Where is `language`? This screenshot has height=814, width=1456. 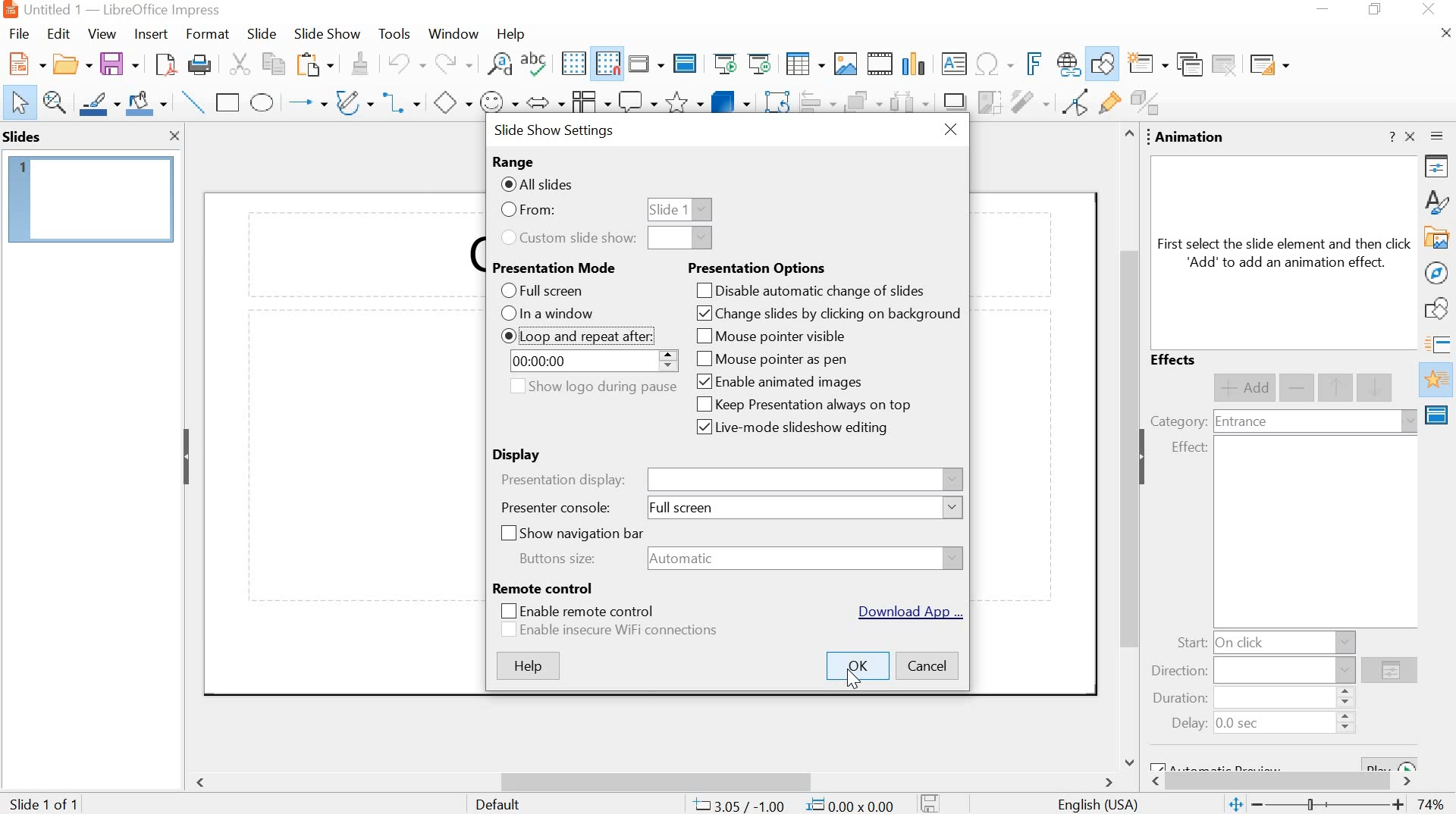
language is located at coordinates (1099, 806).